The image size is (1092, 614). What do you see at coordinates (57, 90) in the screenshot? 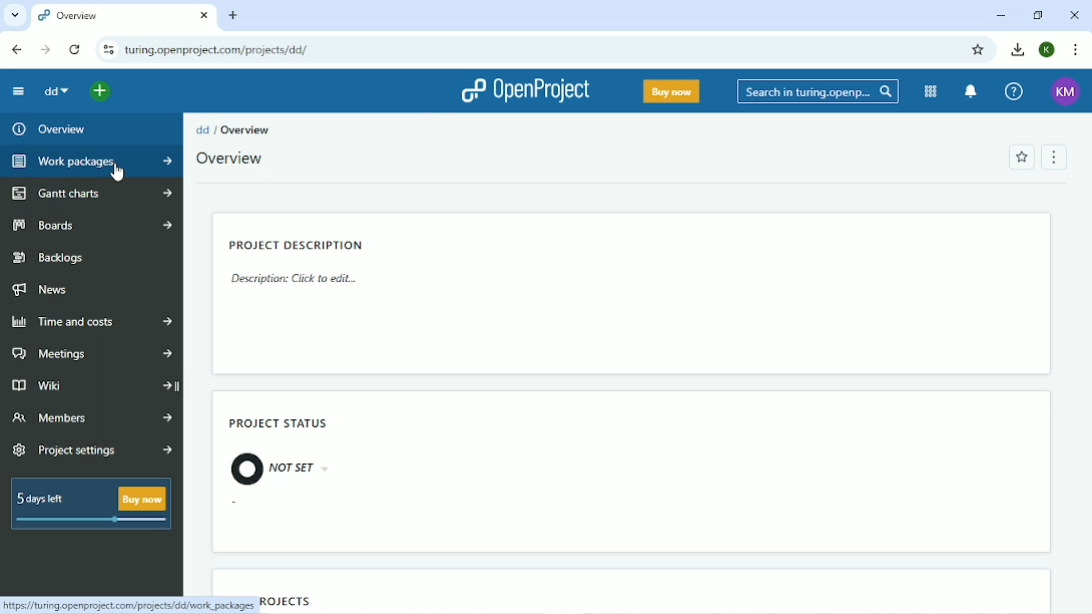
I see `dd` at bounding box center [57, 90].